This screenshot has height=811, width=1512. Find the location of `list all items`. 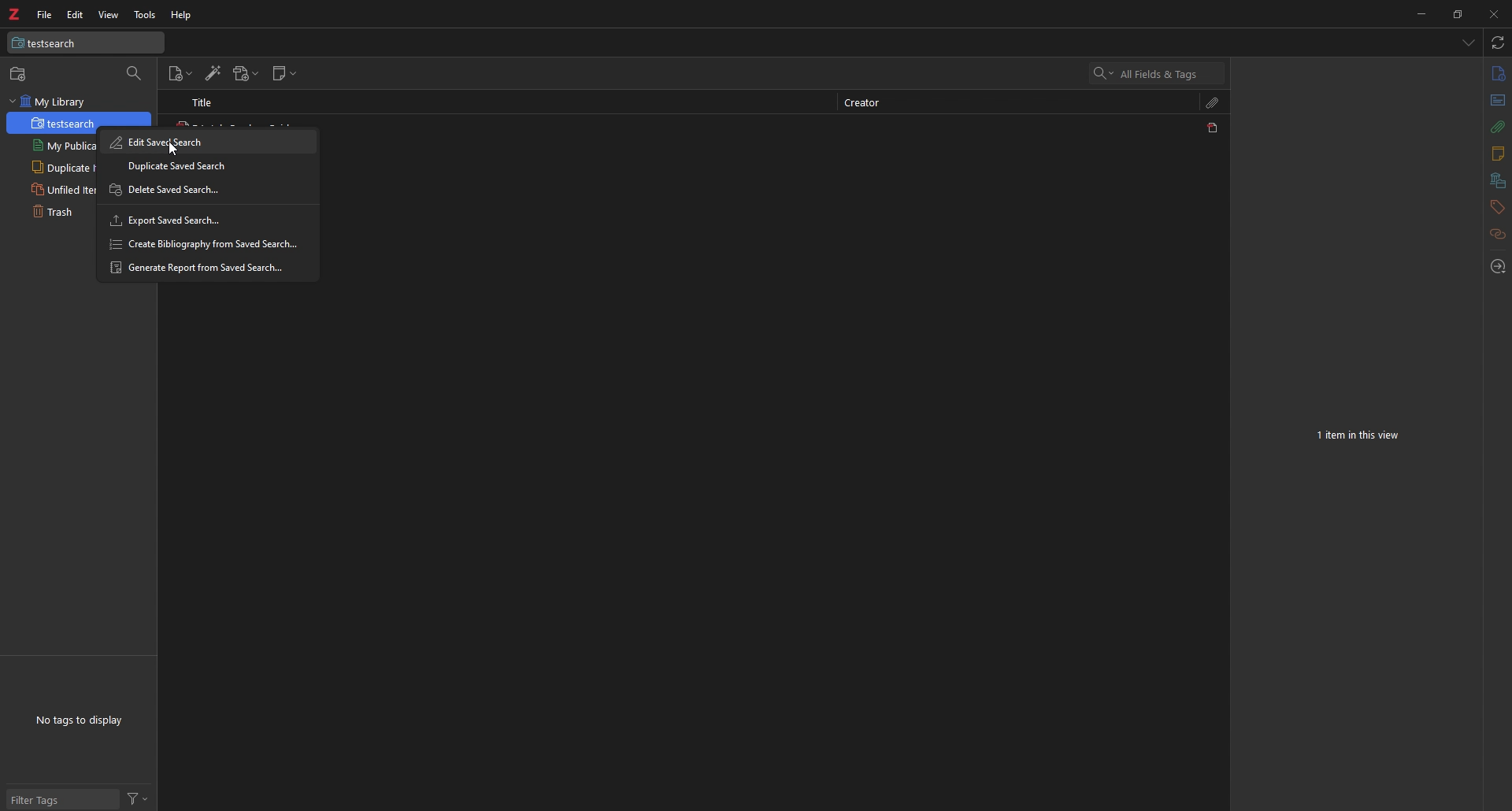

list all items is located at coordinates (1469, 42).